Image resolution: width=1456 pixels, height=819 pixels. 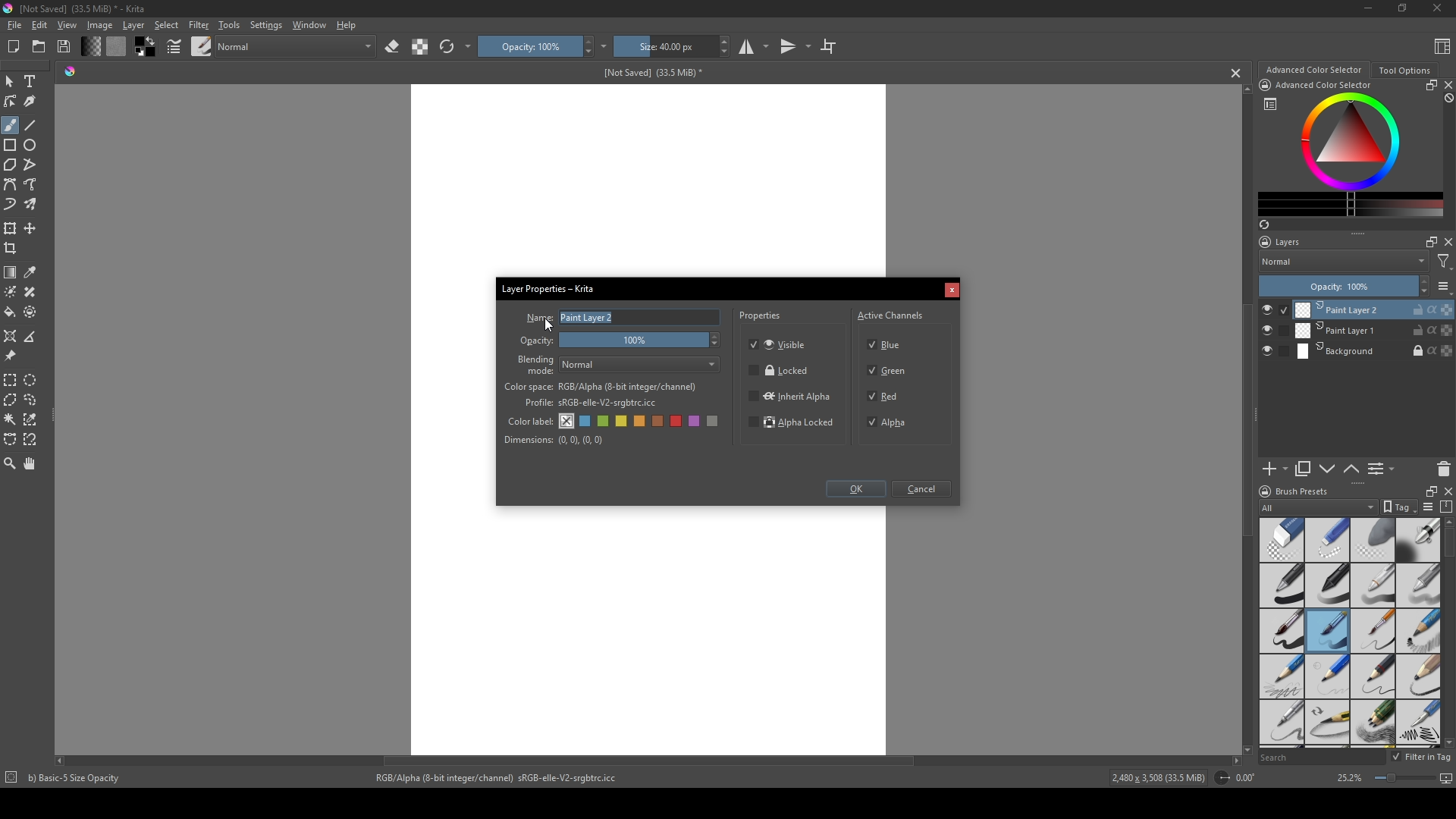 What do you see at coordinates (529, 46) in the screenshot?
I see `Opacity` at bounding box center [529, 46].